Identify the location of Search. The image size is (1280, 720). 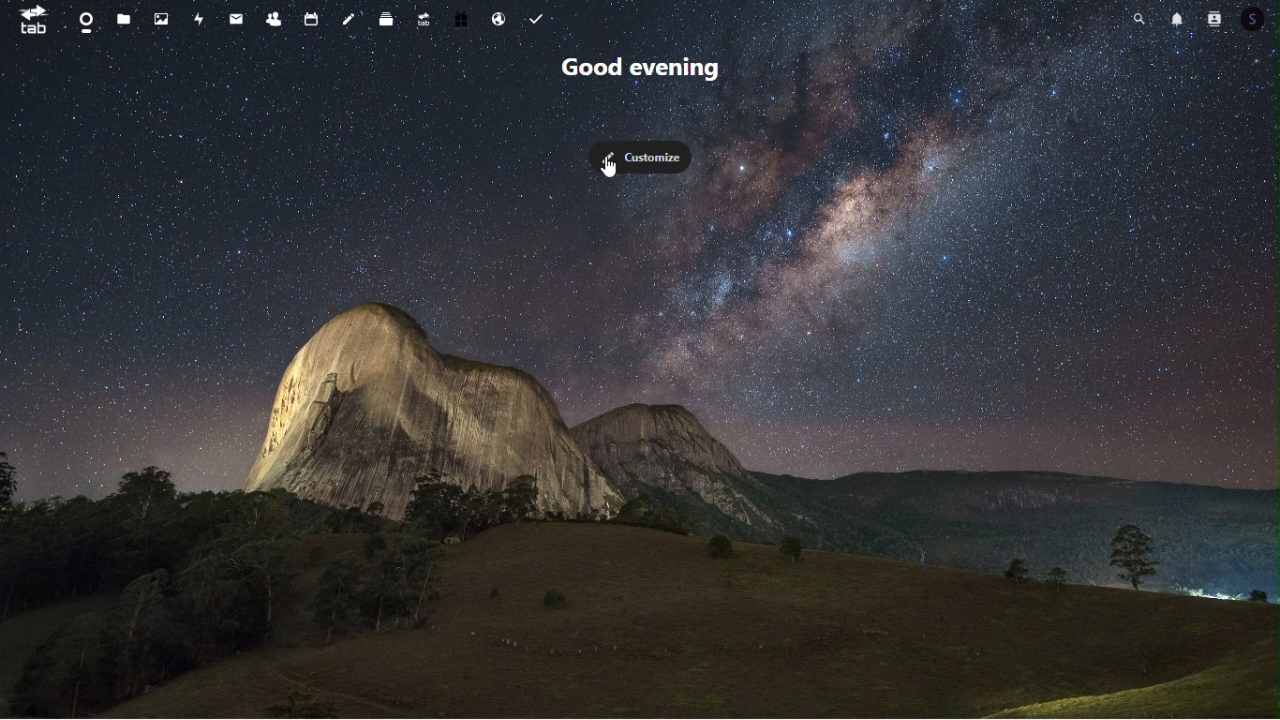
(1139, 17).